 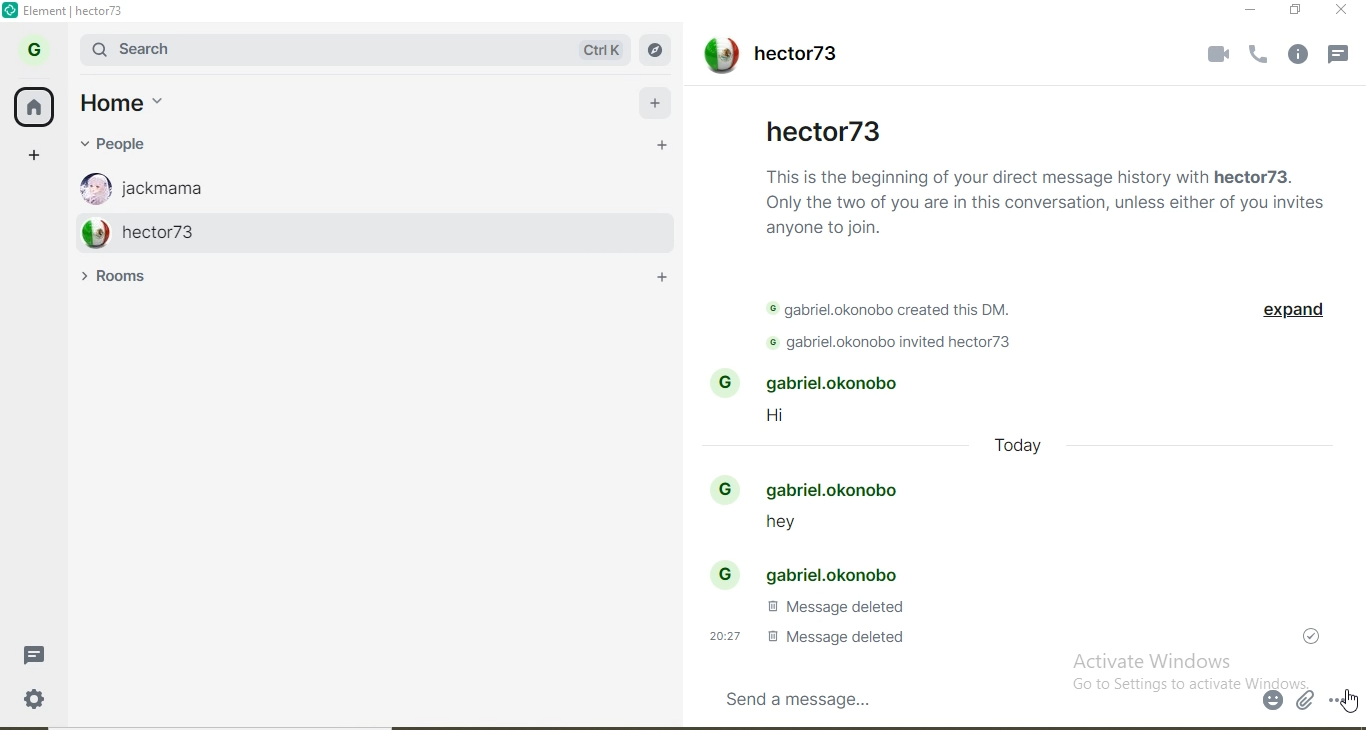 What do you see at coordinates (815, 384) in the screenshot?
I see `gabriel.okonobo` at bounding box center [815, 384].